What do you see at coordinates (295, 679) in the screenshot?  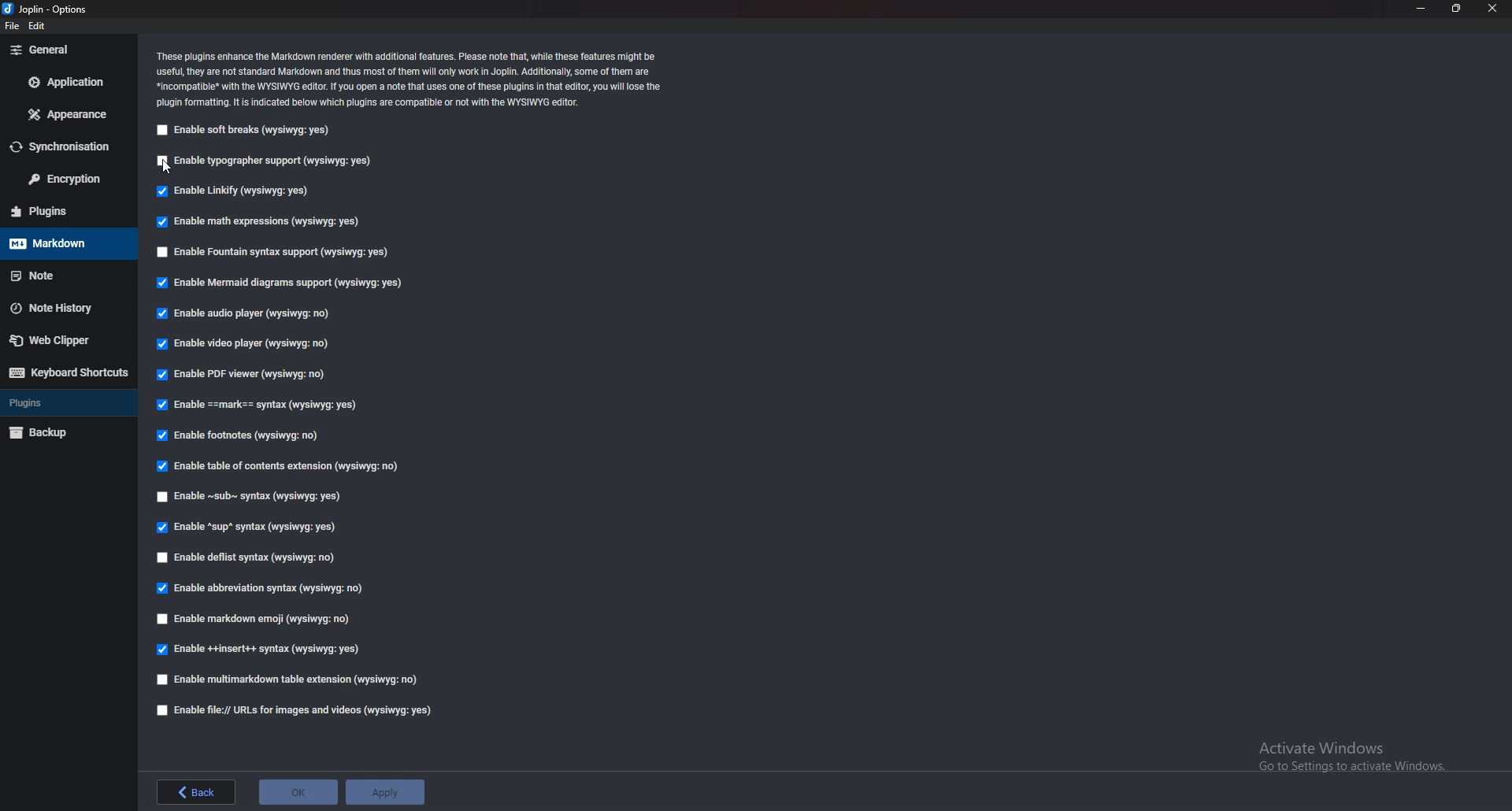 I see `enable multi markdown table extension` at bounding box center [295, 679].